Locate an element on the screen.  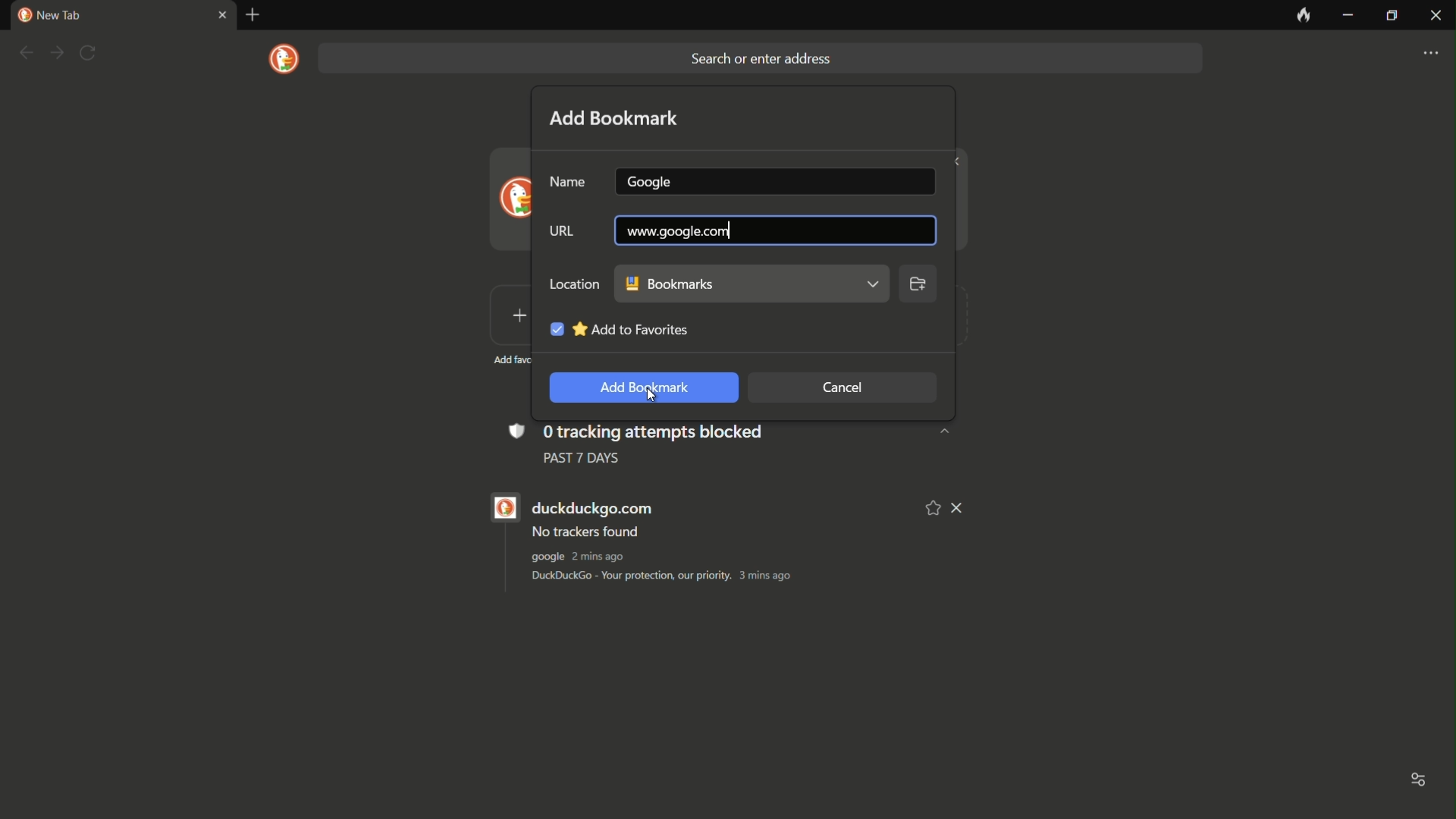
add to bookmark button is located at coordinates (639, 388).